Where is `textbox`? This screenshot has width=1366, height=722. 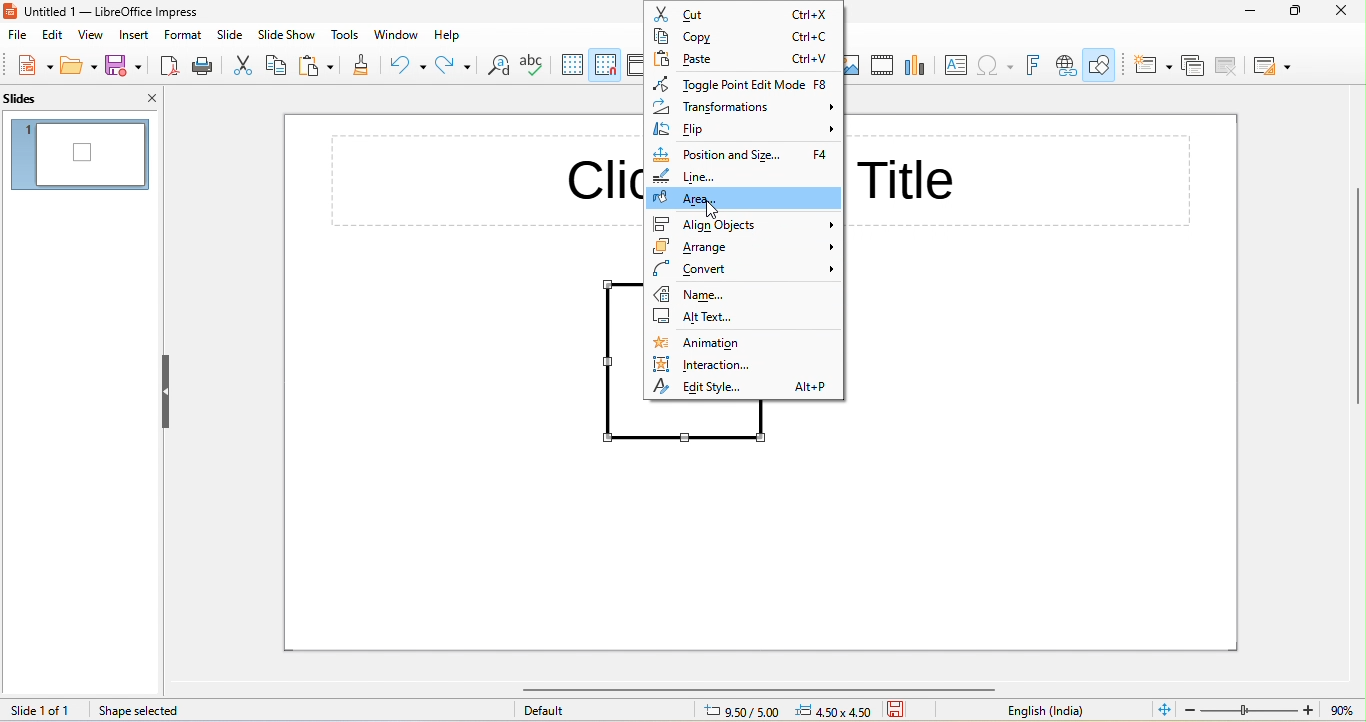
textbox is located at coordinates (954, 65).